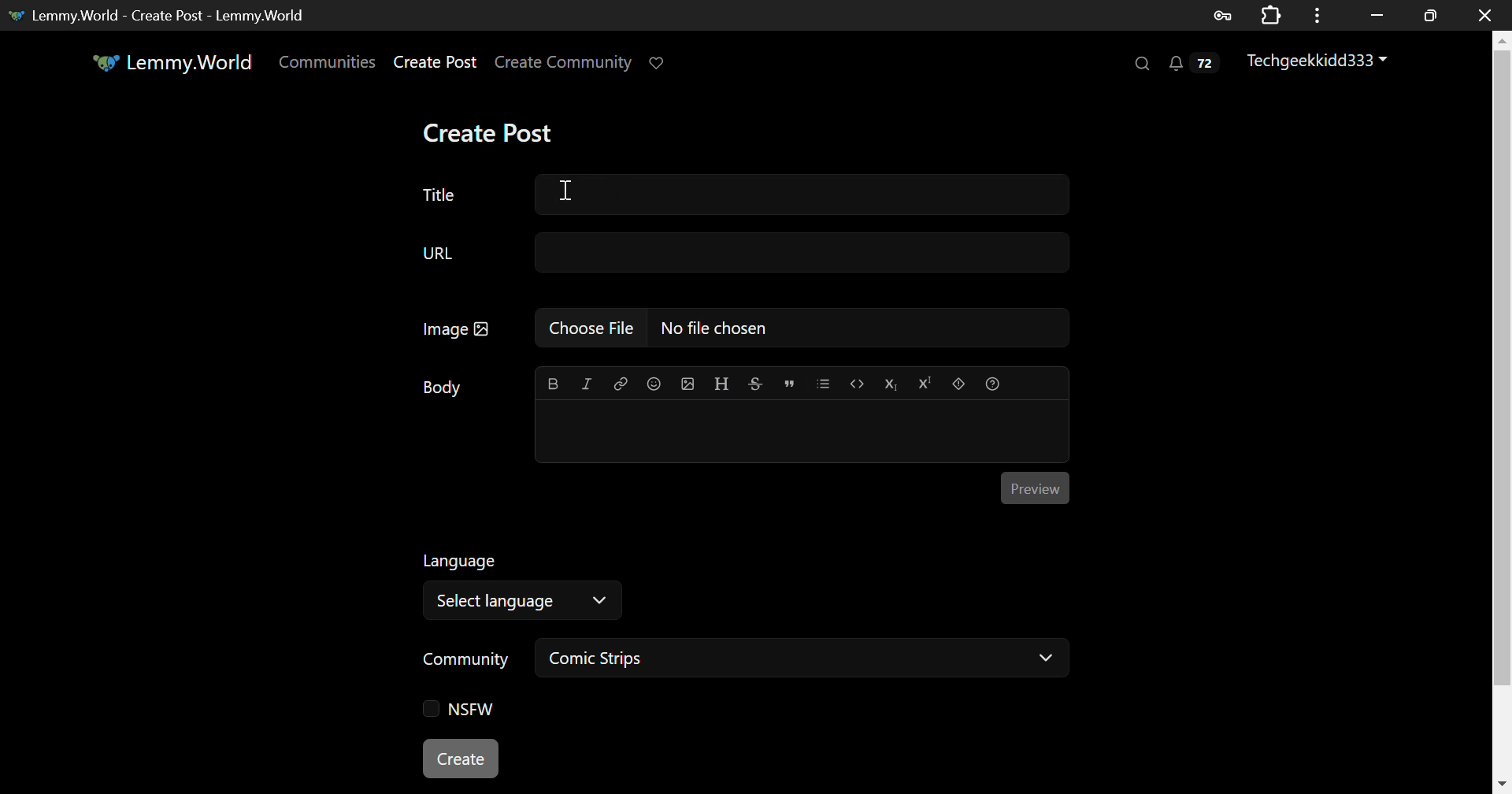  I want to click on Select Language, so click(702, 583).